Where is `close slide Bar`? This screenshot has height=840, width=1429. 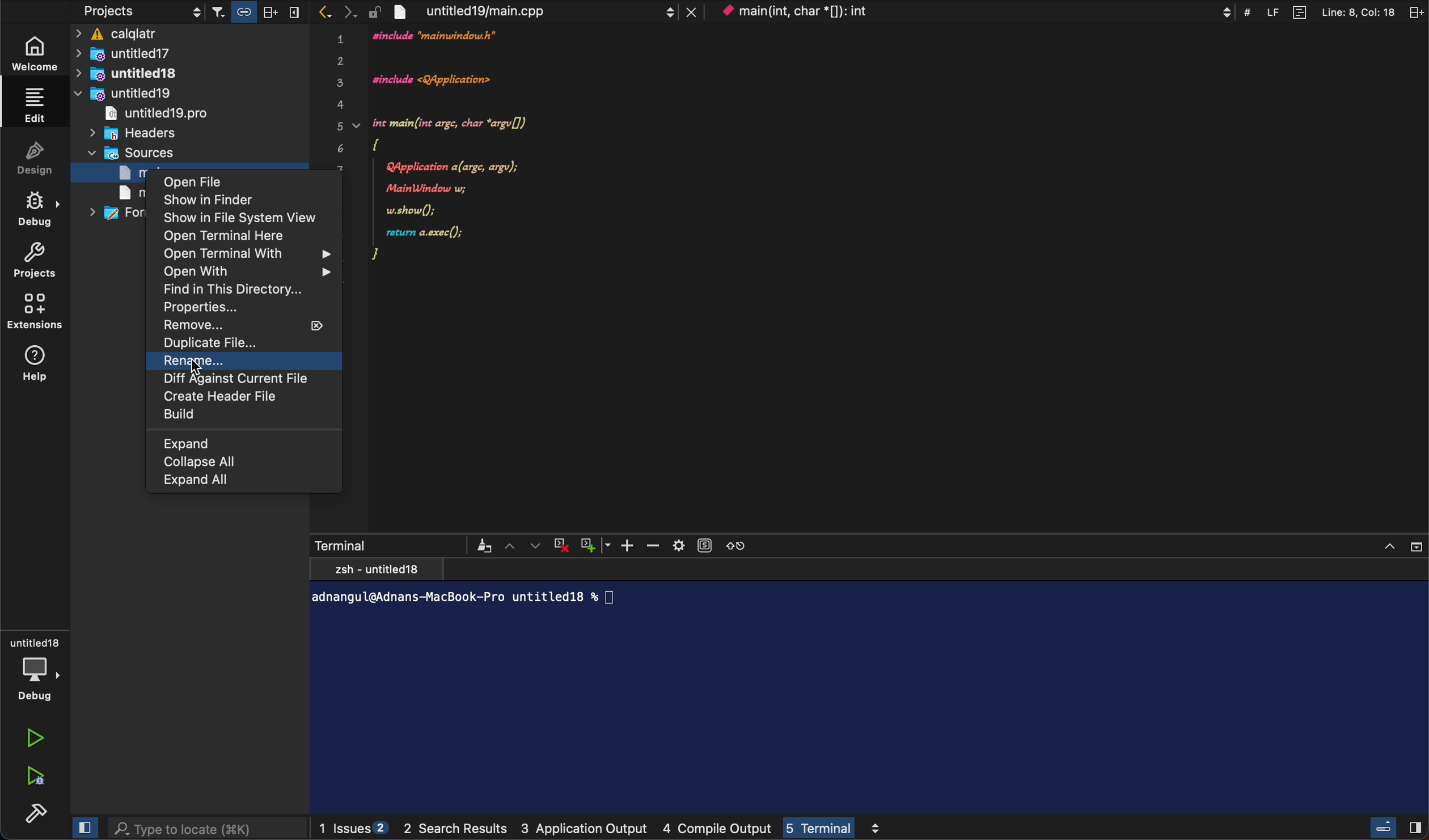
close slide Bar is located at coordinates (1396, 827).